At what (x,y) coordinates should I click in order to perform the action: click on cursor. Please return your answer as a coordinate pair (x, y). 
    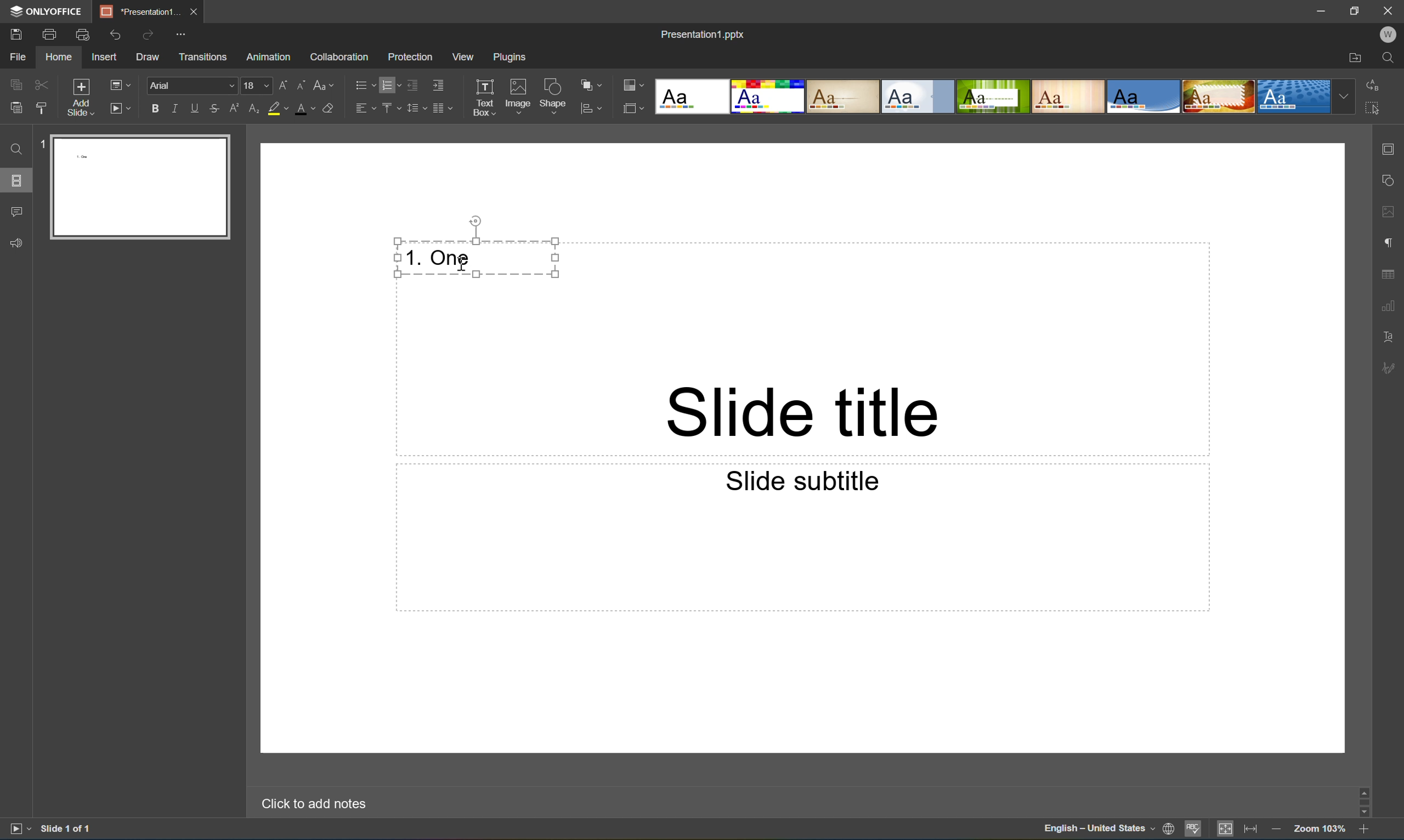
    Looking at the image, I should click on (465, 267).